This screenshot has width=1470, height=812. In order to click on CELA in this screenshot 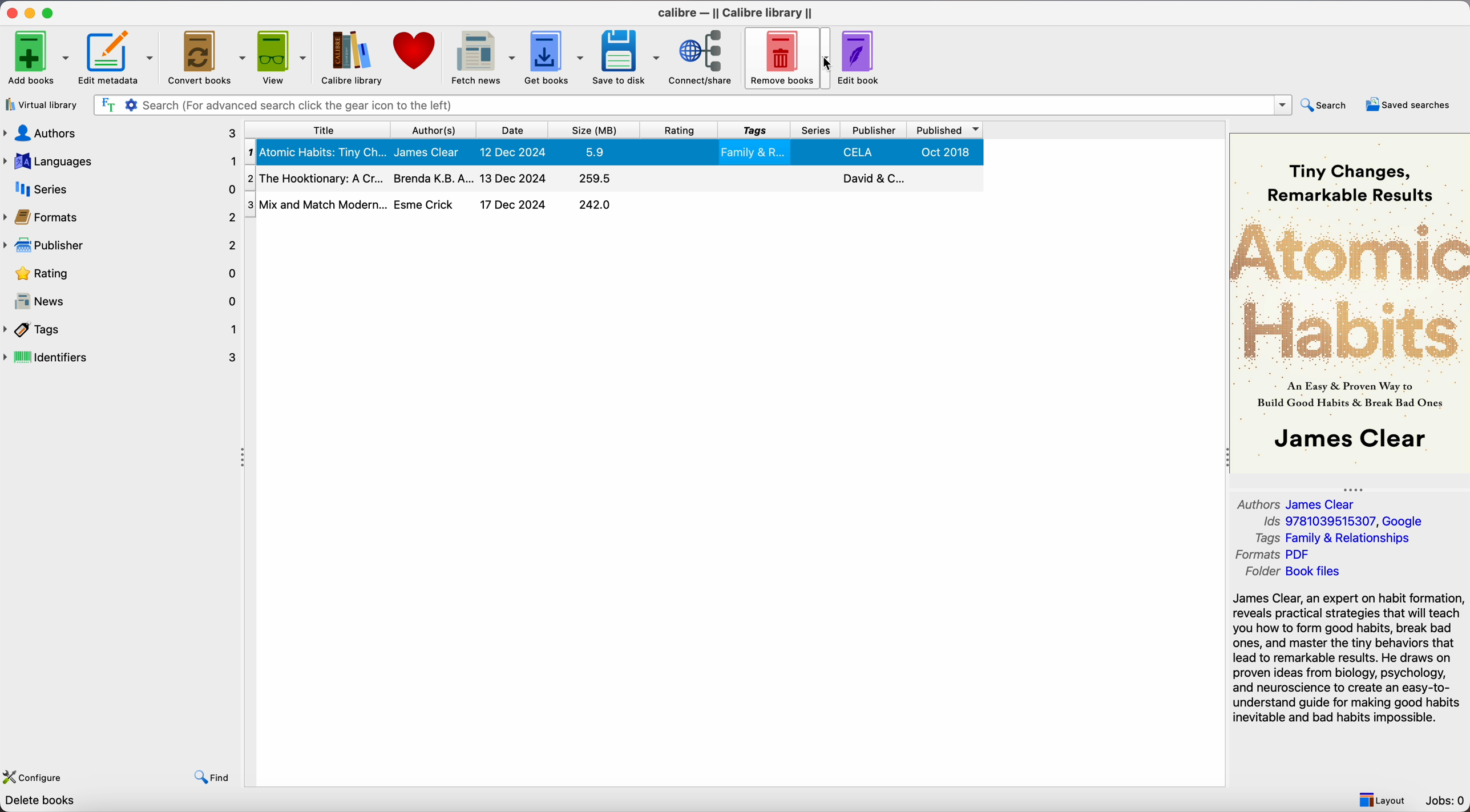, I will do `click(861, 151)`.